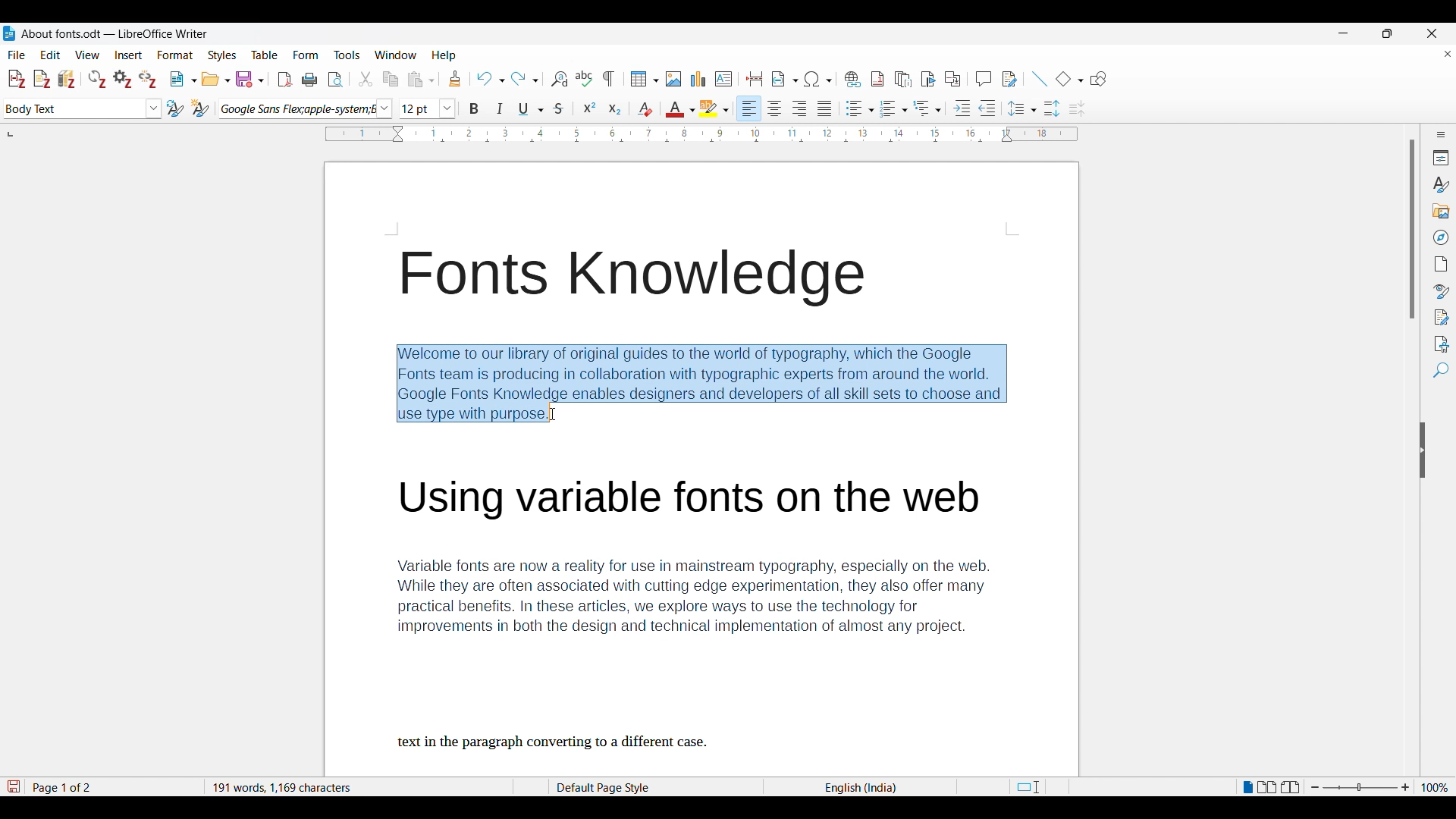 This screenshot has height=819, width=1456. What do you see at coordinates (88, 55) in the screenshot?
I see `View menu` at bounding box center [88, 55].